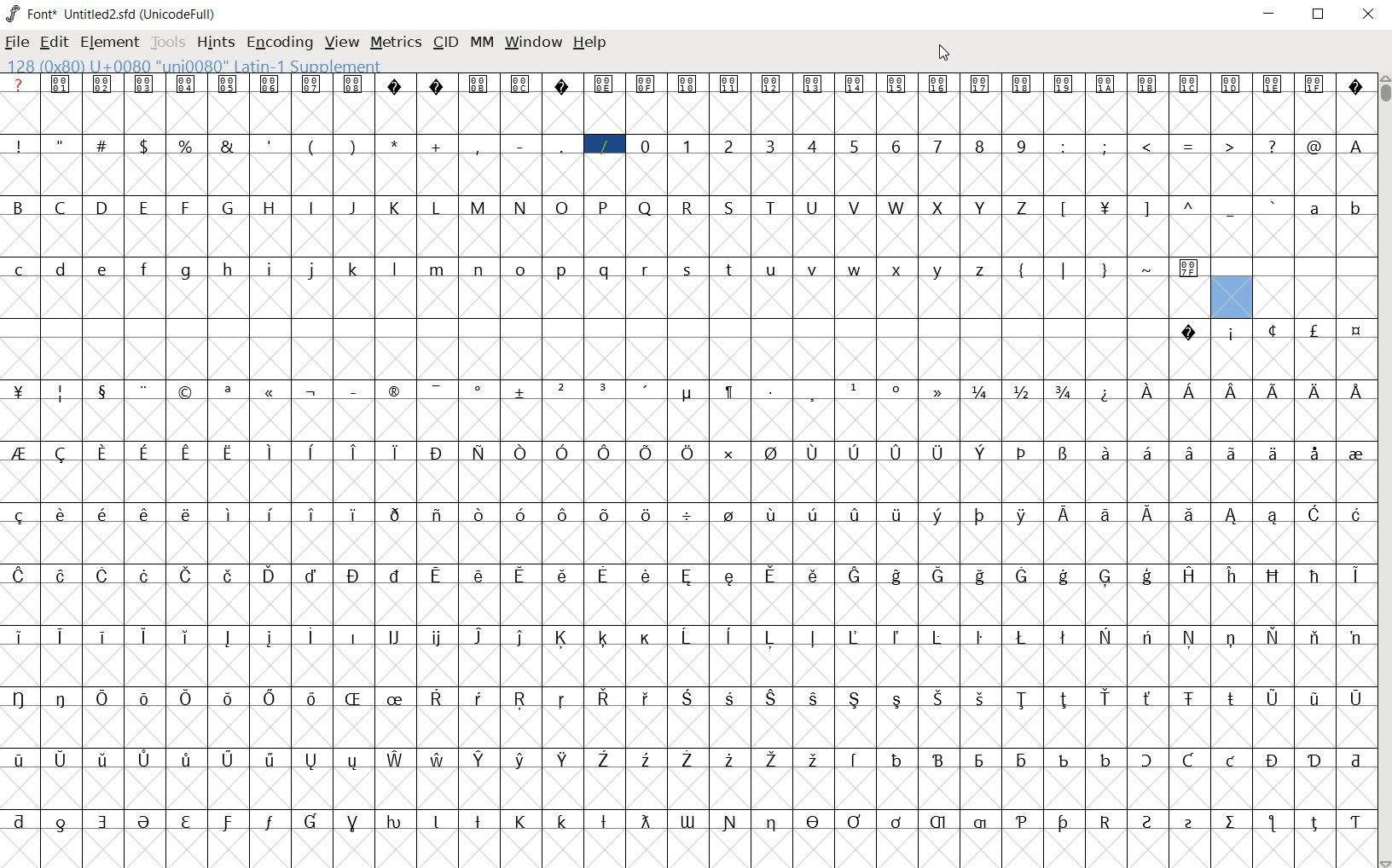 Image resolution: width=1392 pixels, height=868 pixels. I want to click on glyph, so click(1273, 516).